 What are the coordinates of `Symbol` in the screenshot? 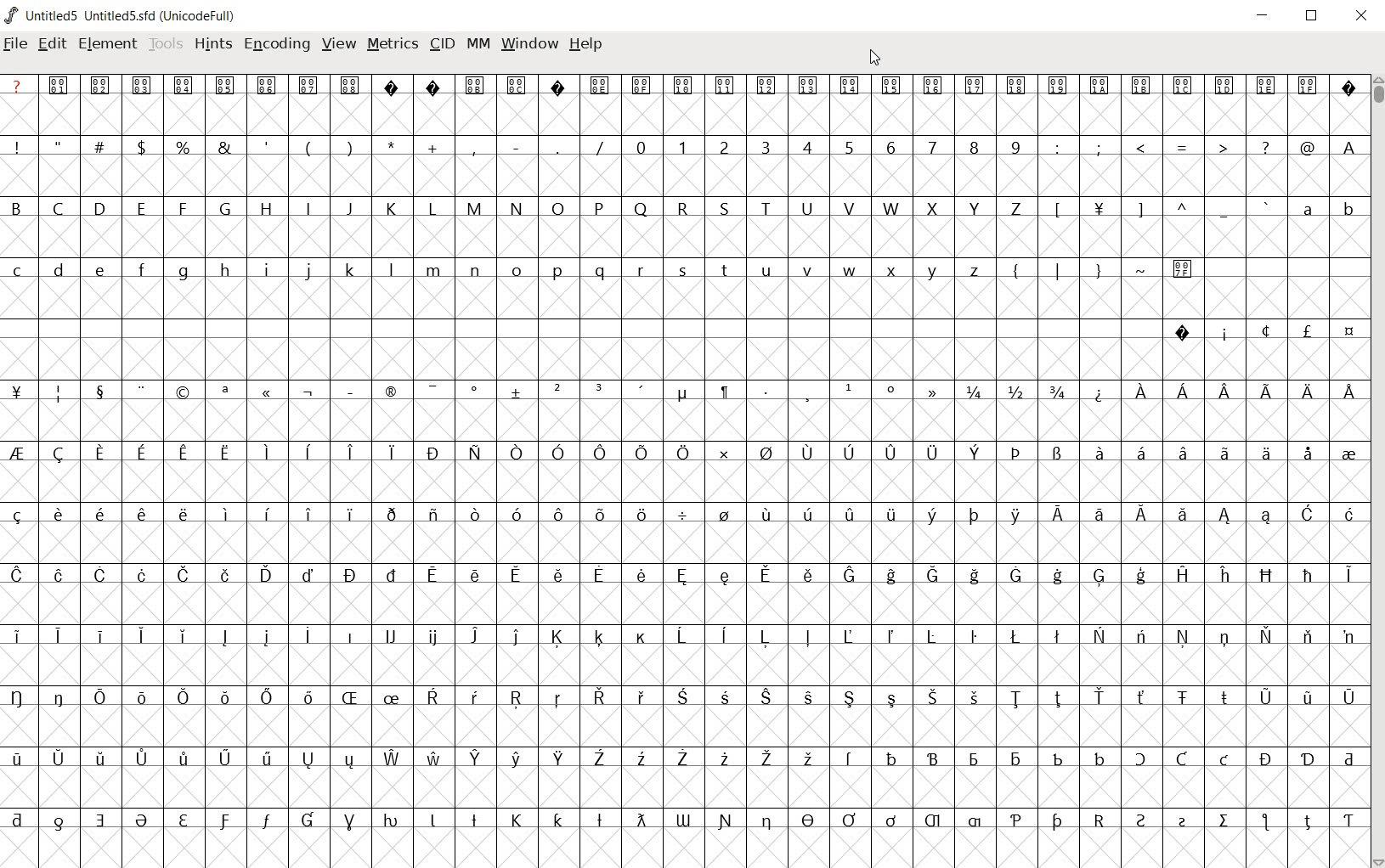 It's located at (684, 86).